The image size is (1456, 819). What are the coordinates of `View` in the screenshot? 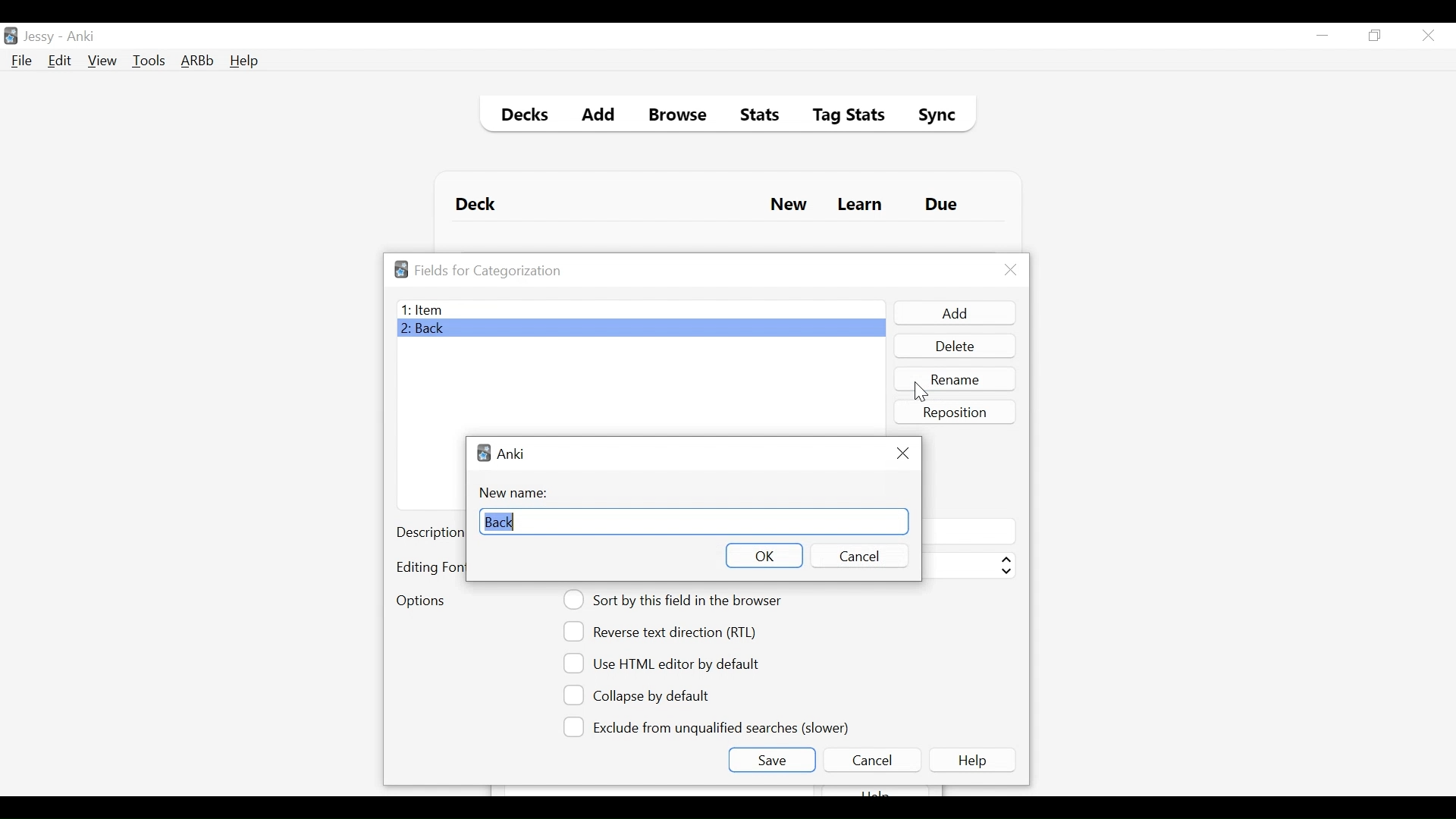 It's located at (103, 61).